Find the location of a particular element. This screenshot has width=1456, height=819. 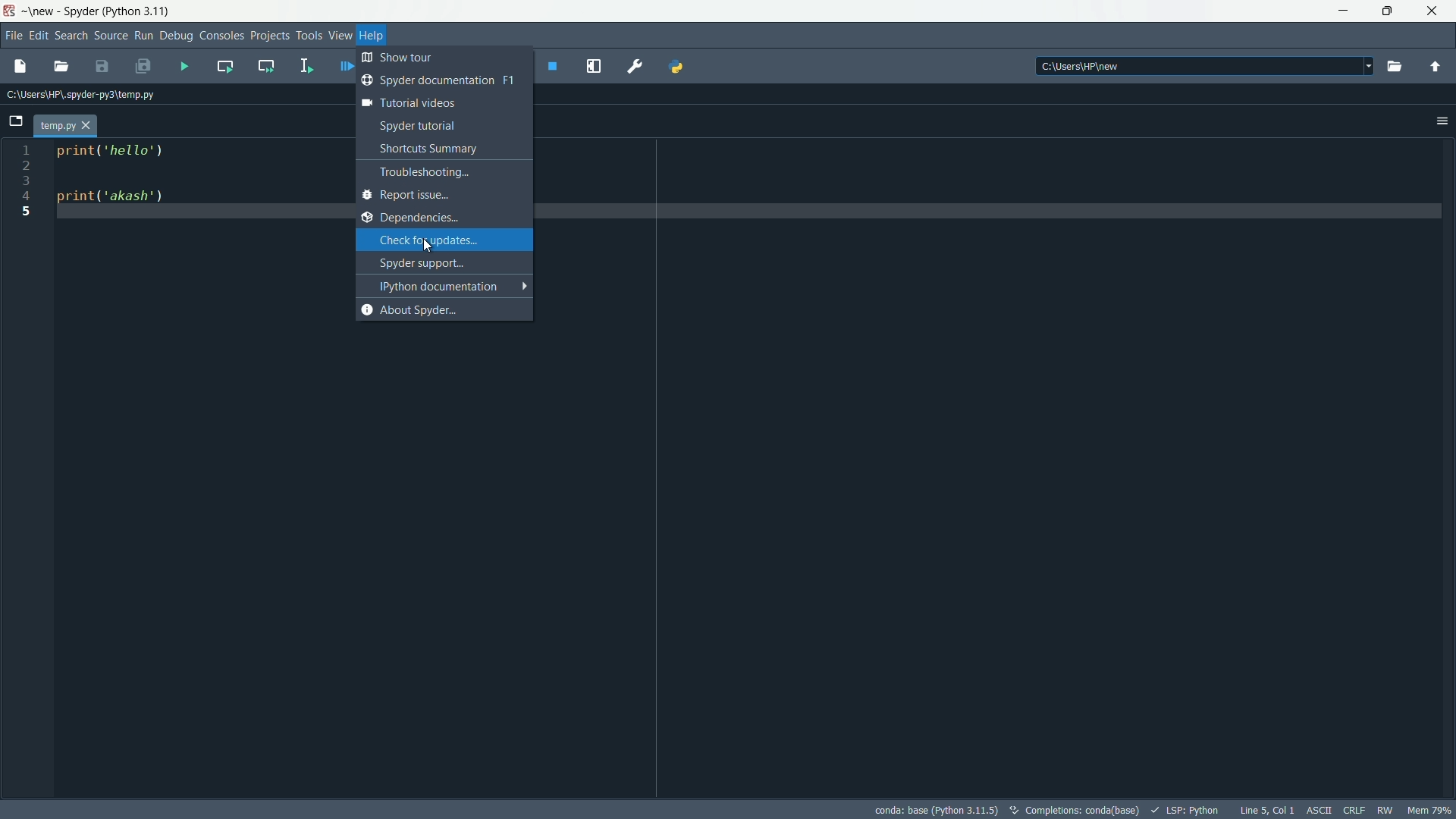

debug menu is located at coordinates (177, 34).